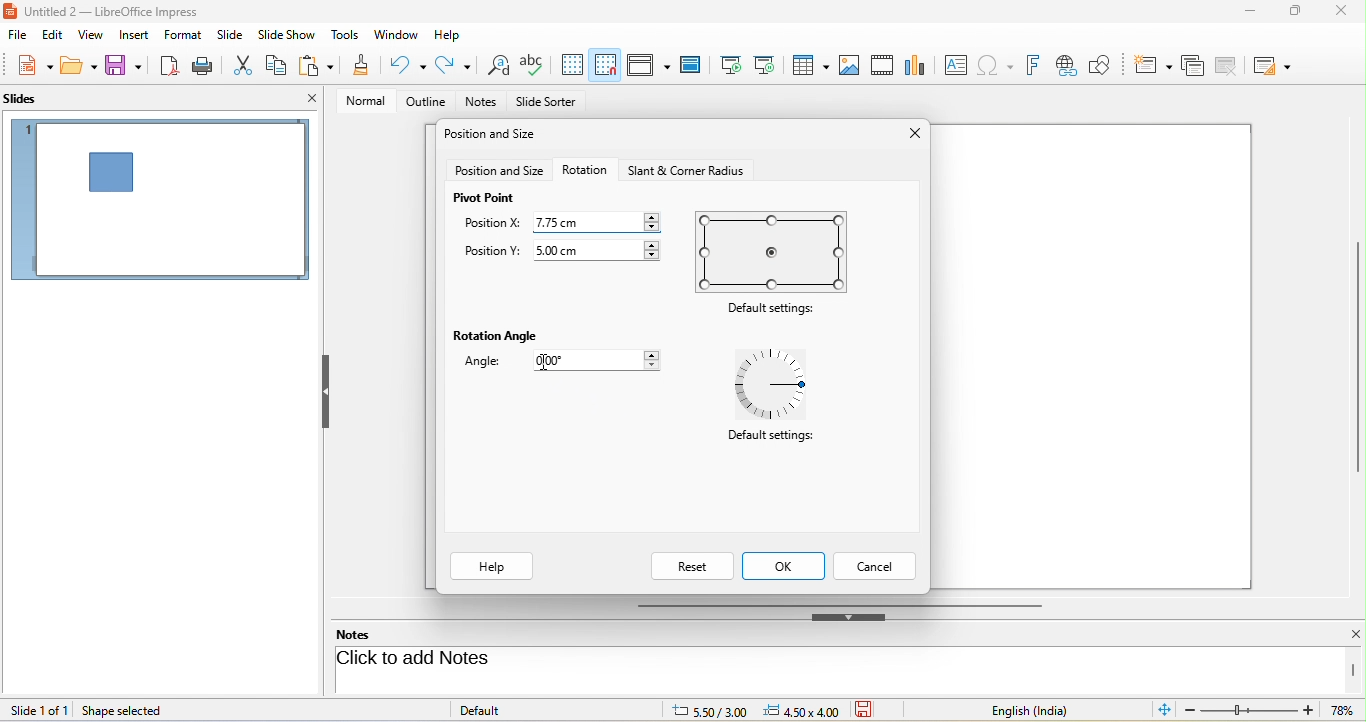  What do you see at coordinates (599, 221) in the screenshot?
I see `7.75 cm` at bounding box center [599, 221].